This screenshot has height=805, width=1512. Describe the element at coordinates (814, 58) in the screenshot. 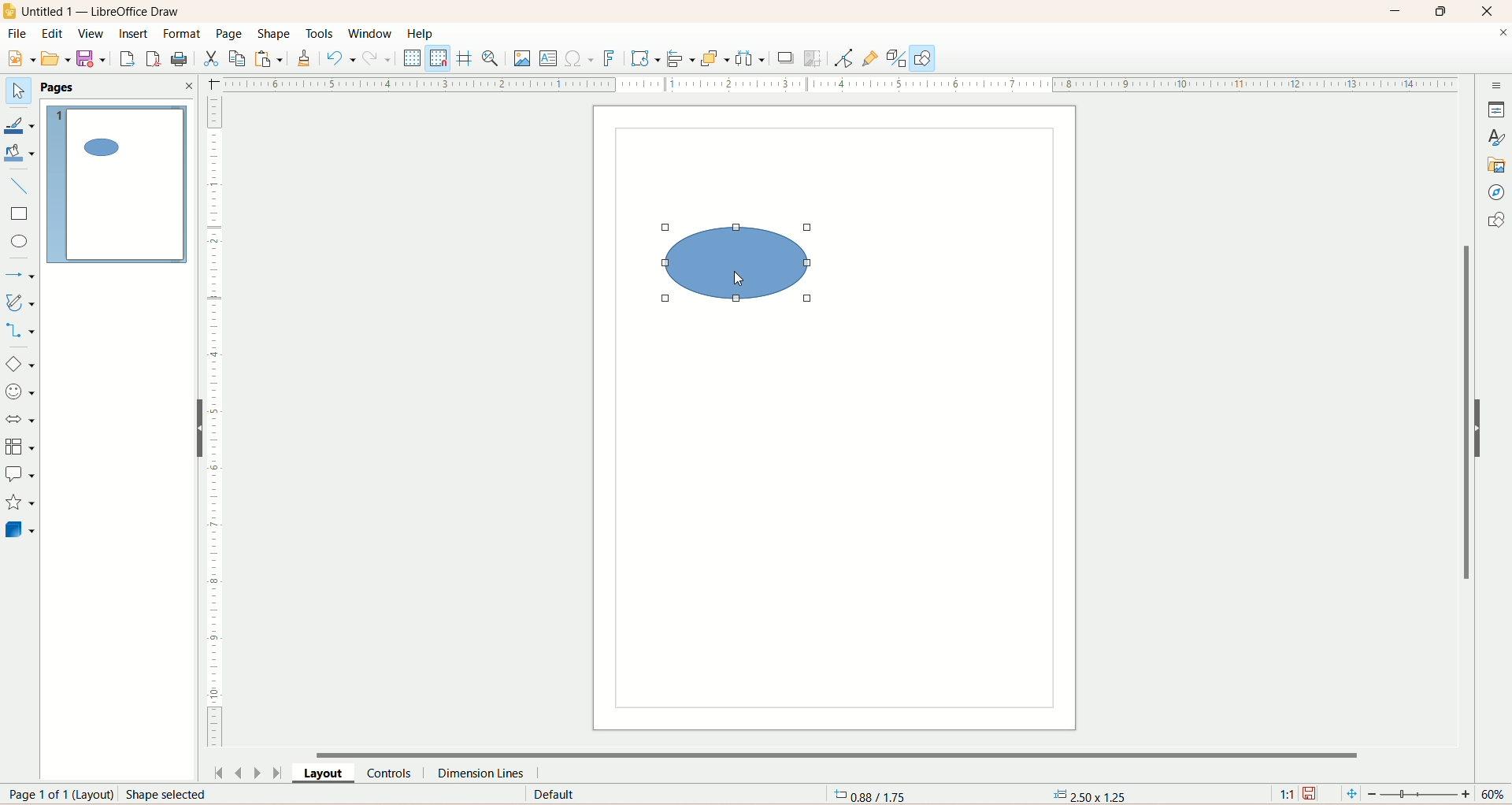

I see `crop image` at that location.